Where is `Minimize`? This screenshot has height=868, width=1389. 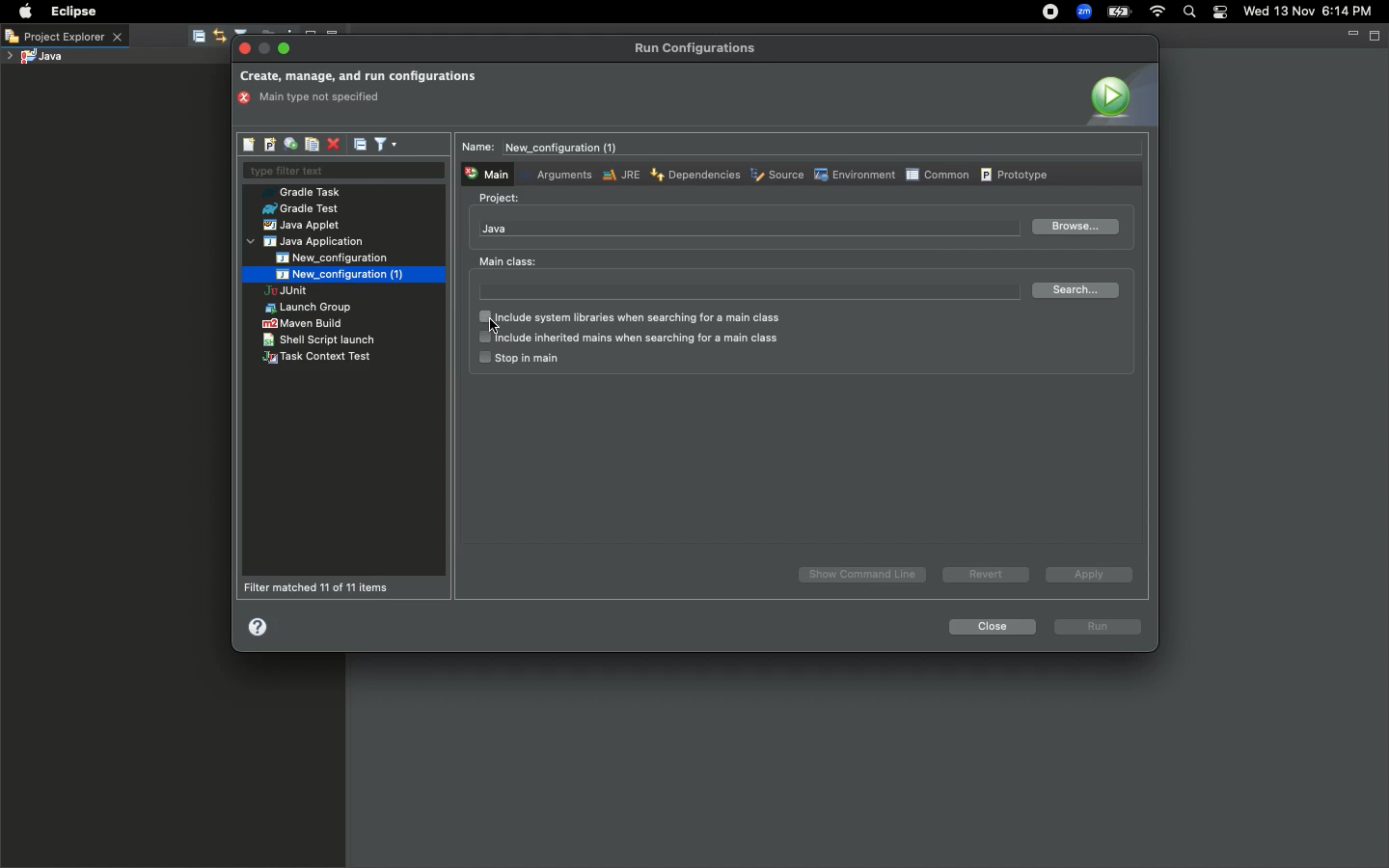 Minimize is located at coordinates (1351, 34).